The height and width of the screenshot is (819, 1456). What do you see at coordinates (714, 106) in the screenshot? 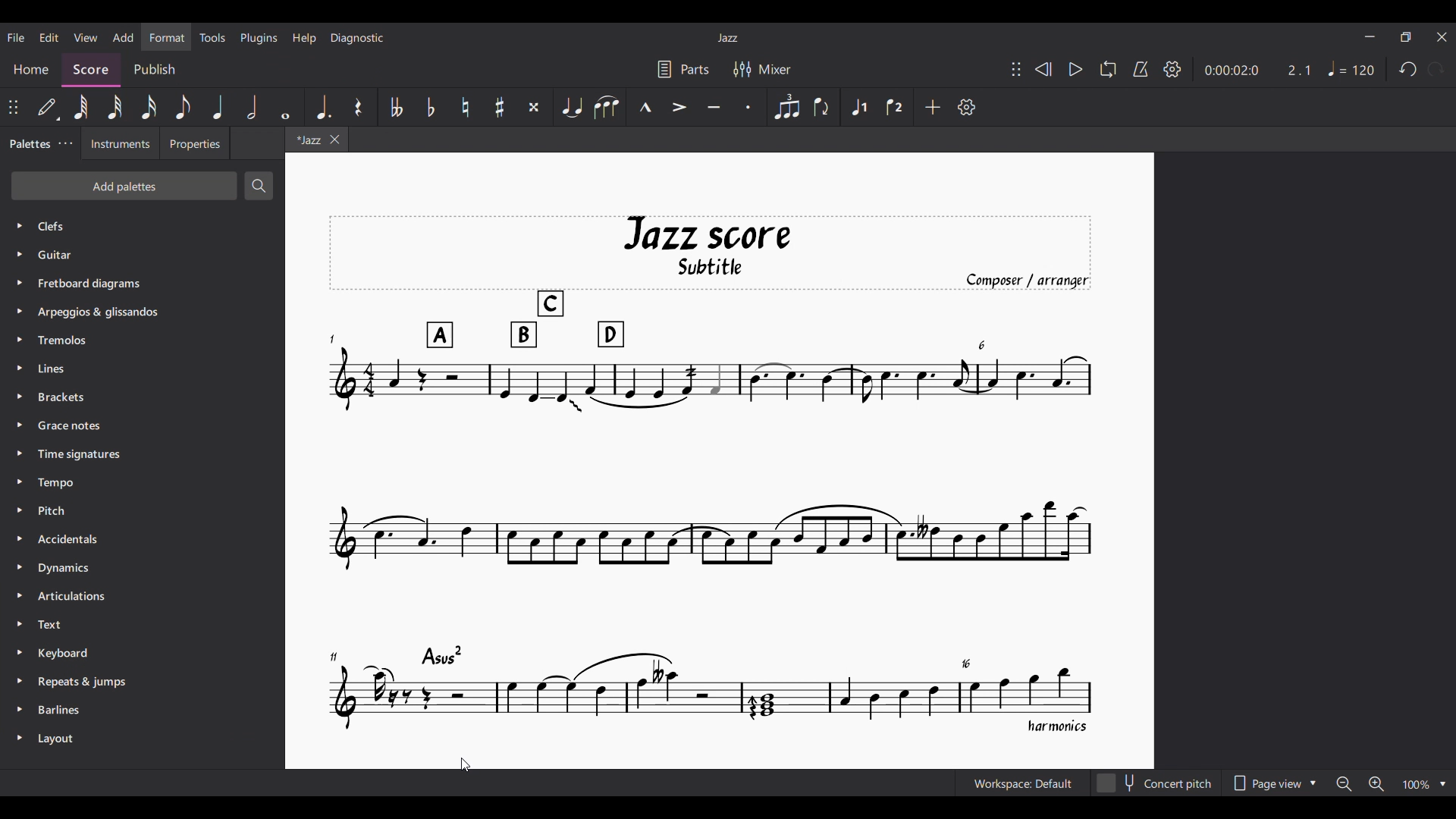
I see `Tenuto` at bounding box center [714, 106].